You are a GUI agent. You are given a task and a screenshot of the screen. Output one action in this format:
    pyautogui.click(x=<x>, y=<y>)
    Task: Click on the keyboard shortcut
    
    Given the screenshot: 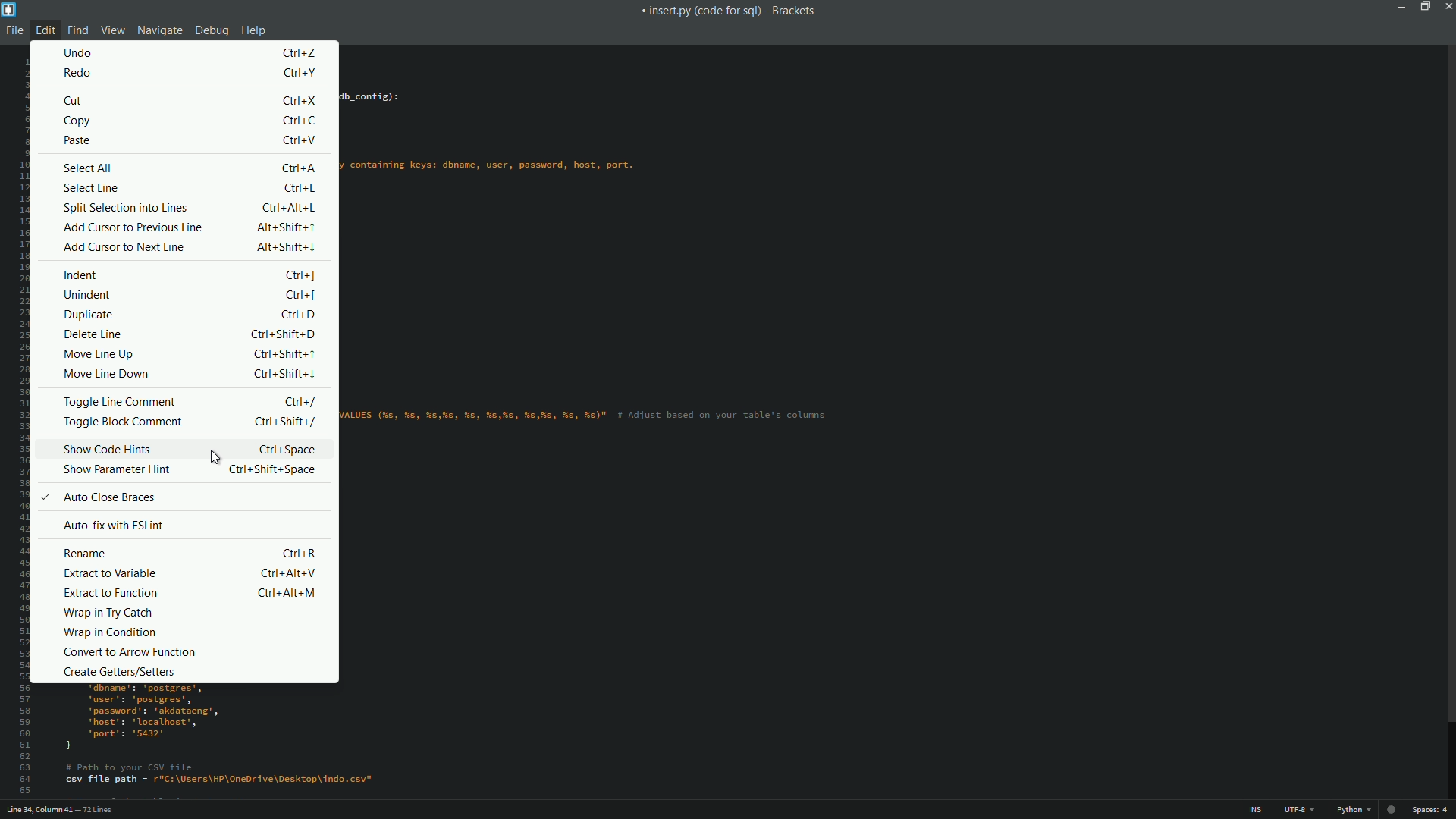 What is the action you would take?
    pyautogui.click(x=299, y=275)
    